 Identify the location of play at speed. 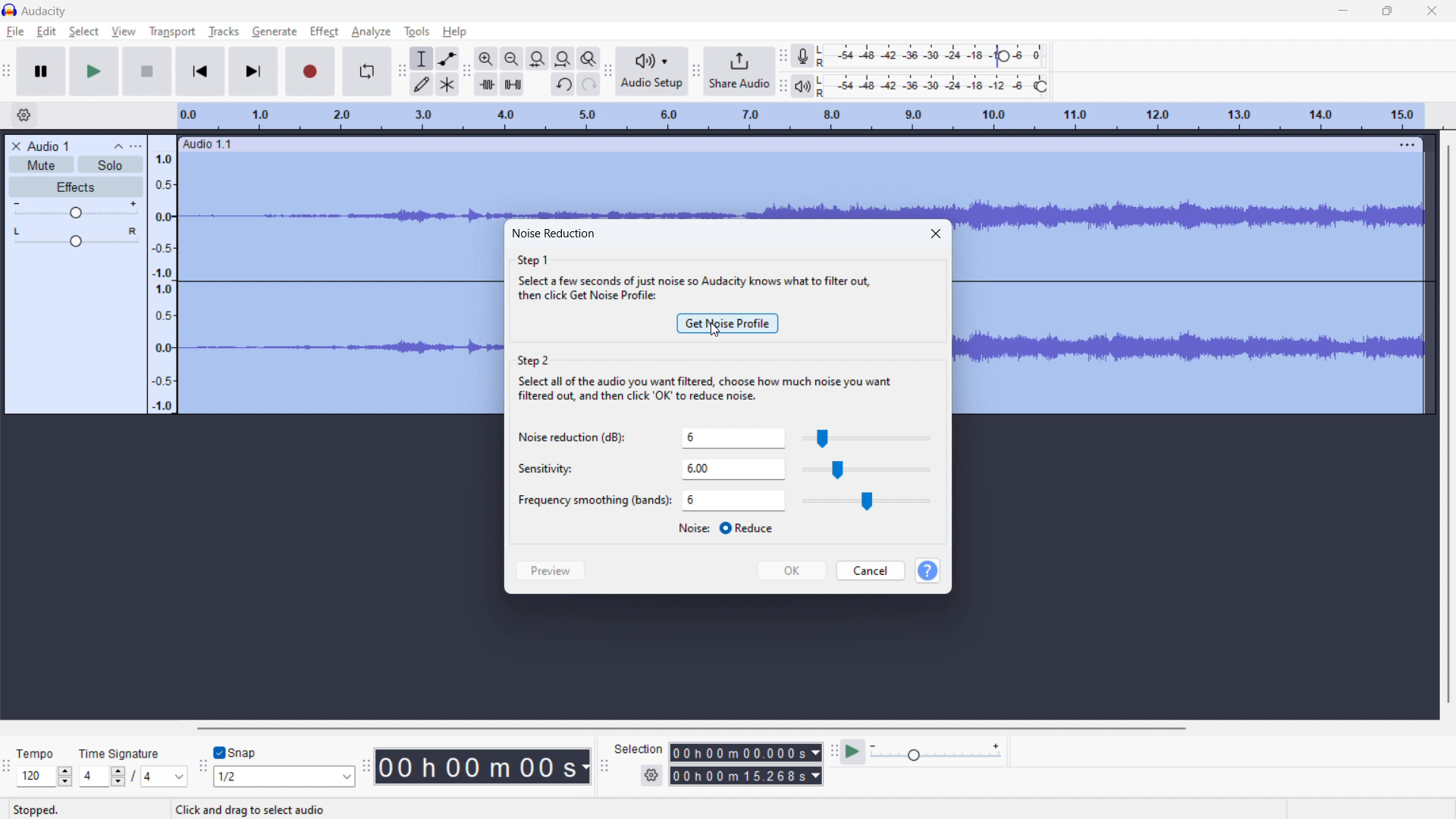
(852, 752).